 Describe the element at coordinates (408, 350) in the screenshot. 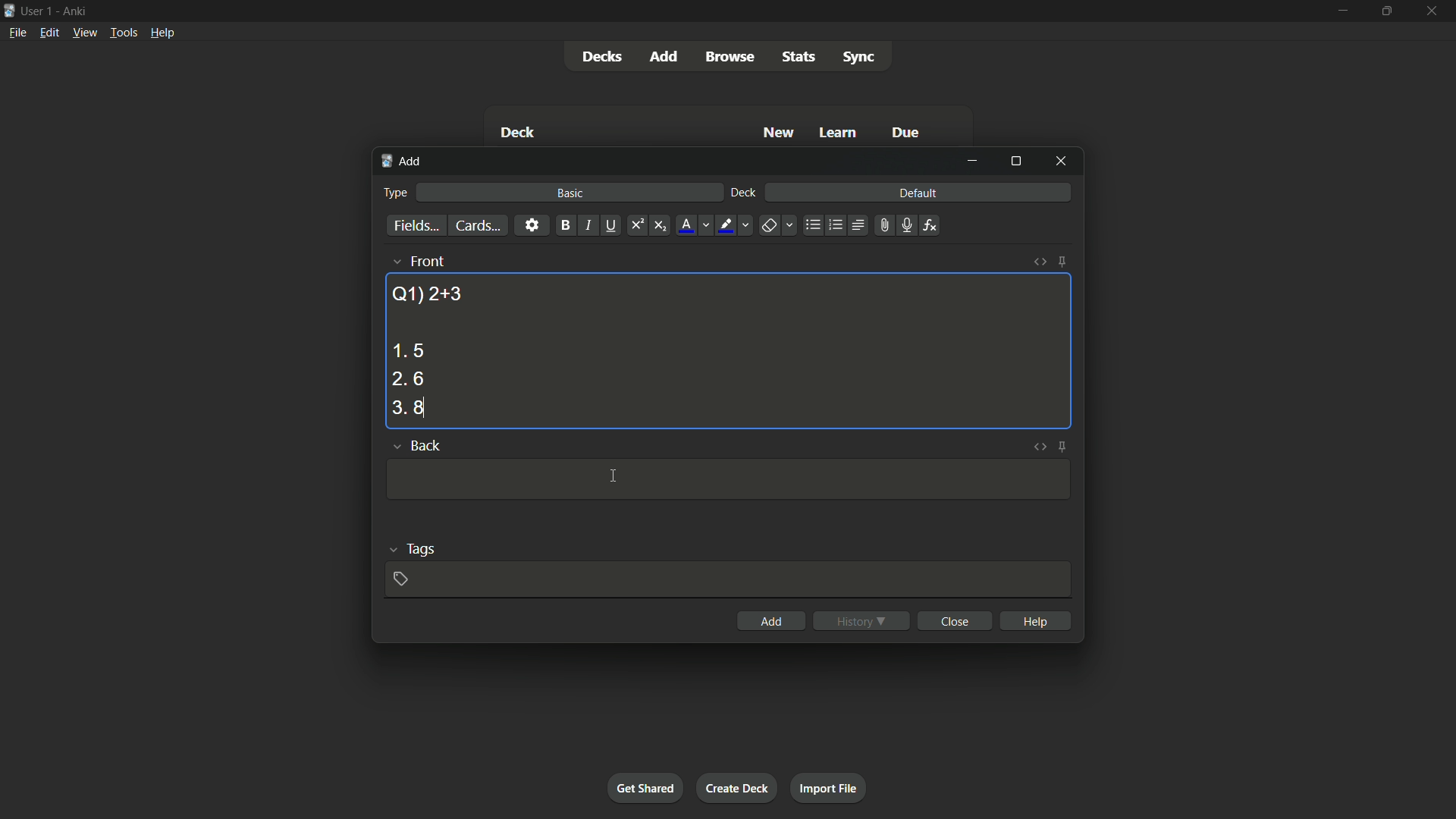

I see `option 1` at that location.